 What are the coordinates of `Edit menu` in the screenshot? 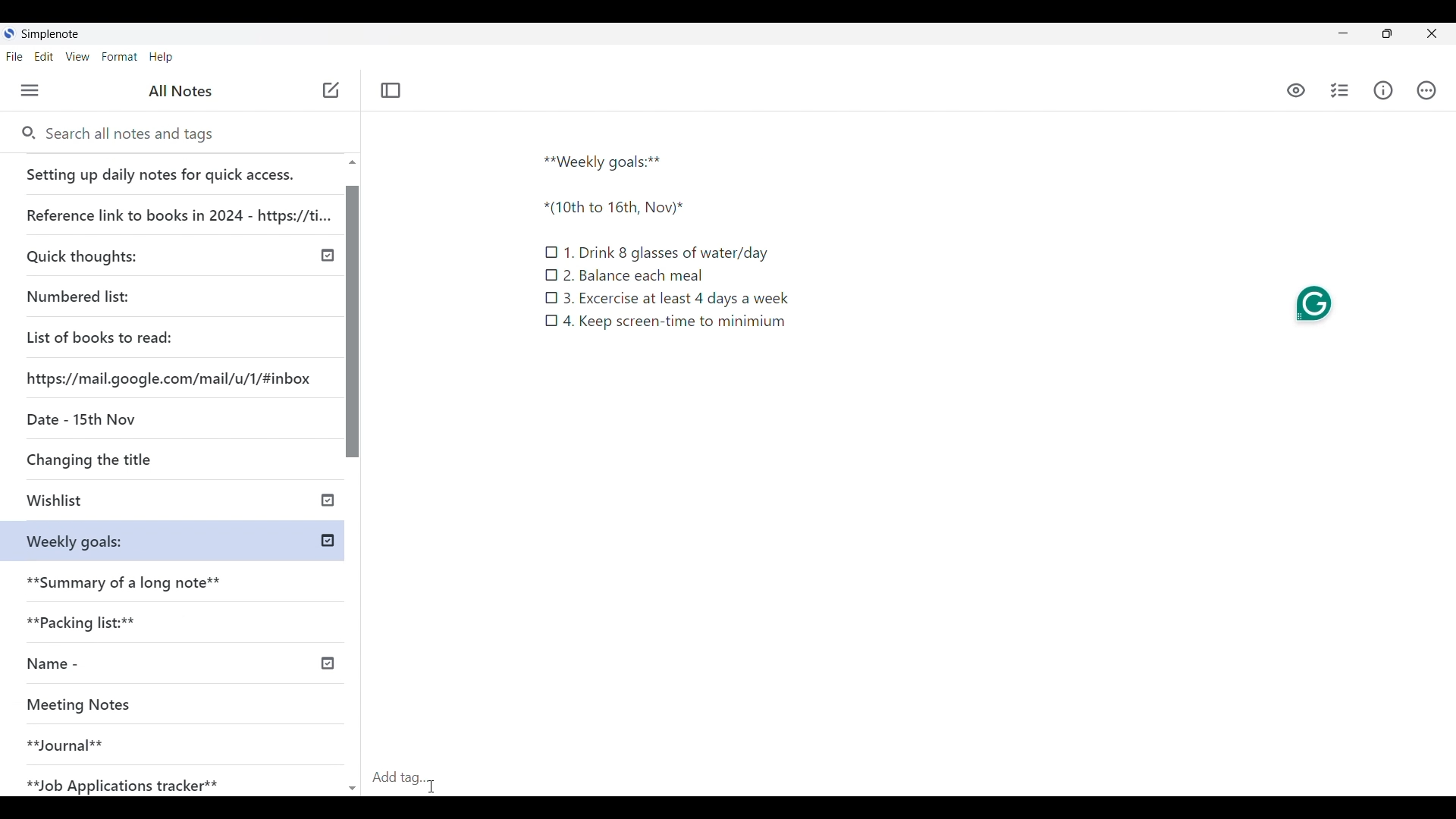 It's located at (44, 57).